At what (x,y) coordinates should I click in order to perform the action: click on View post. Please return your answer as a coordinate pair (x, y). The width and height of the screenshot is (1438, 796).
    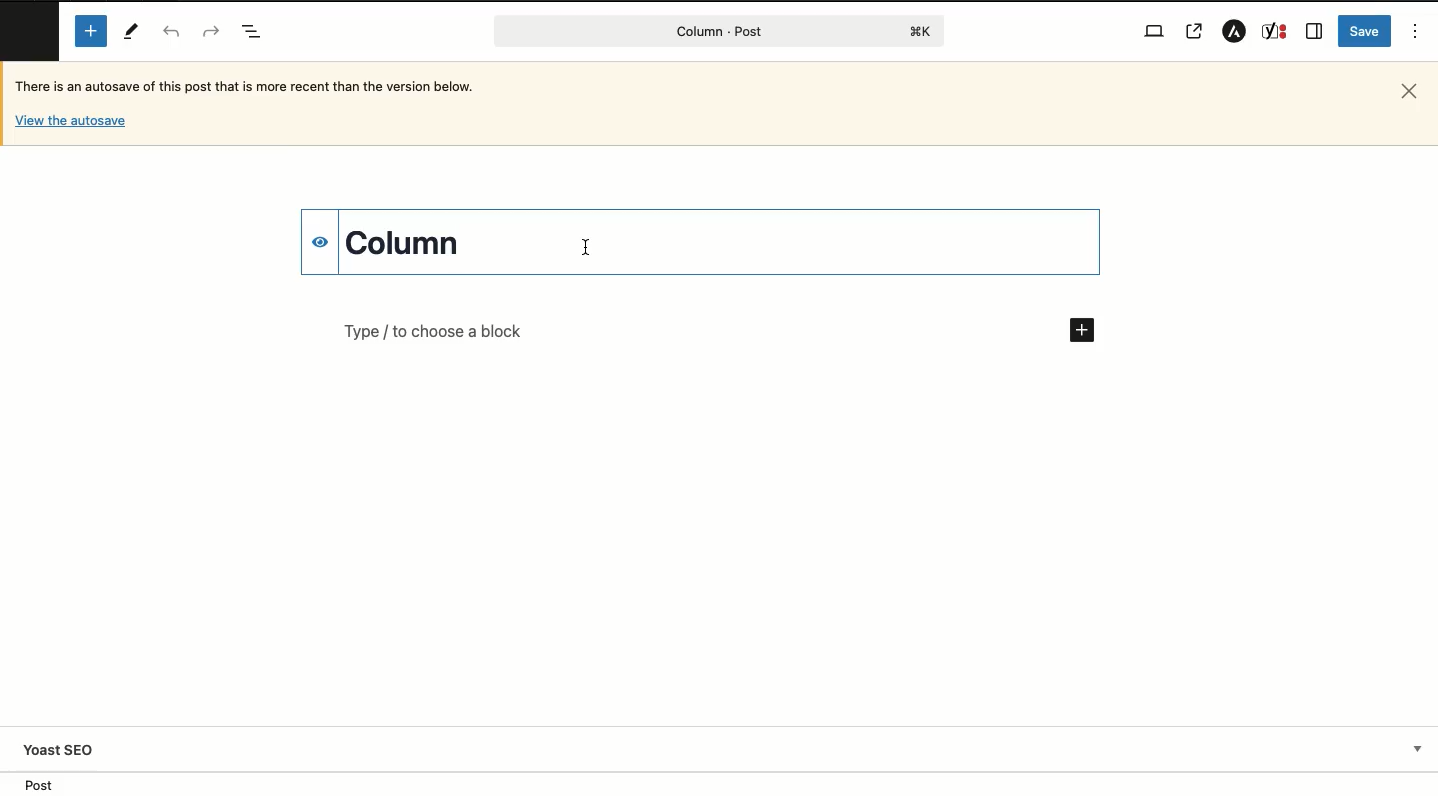
    Looking at the image, I should click on (1195, 33).